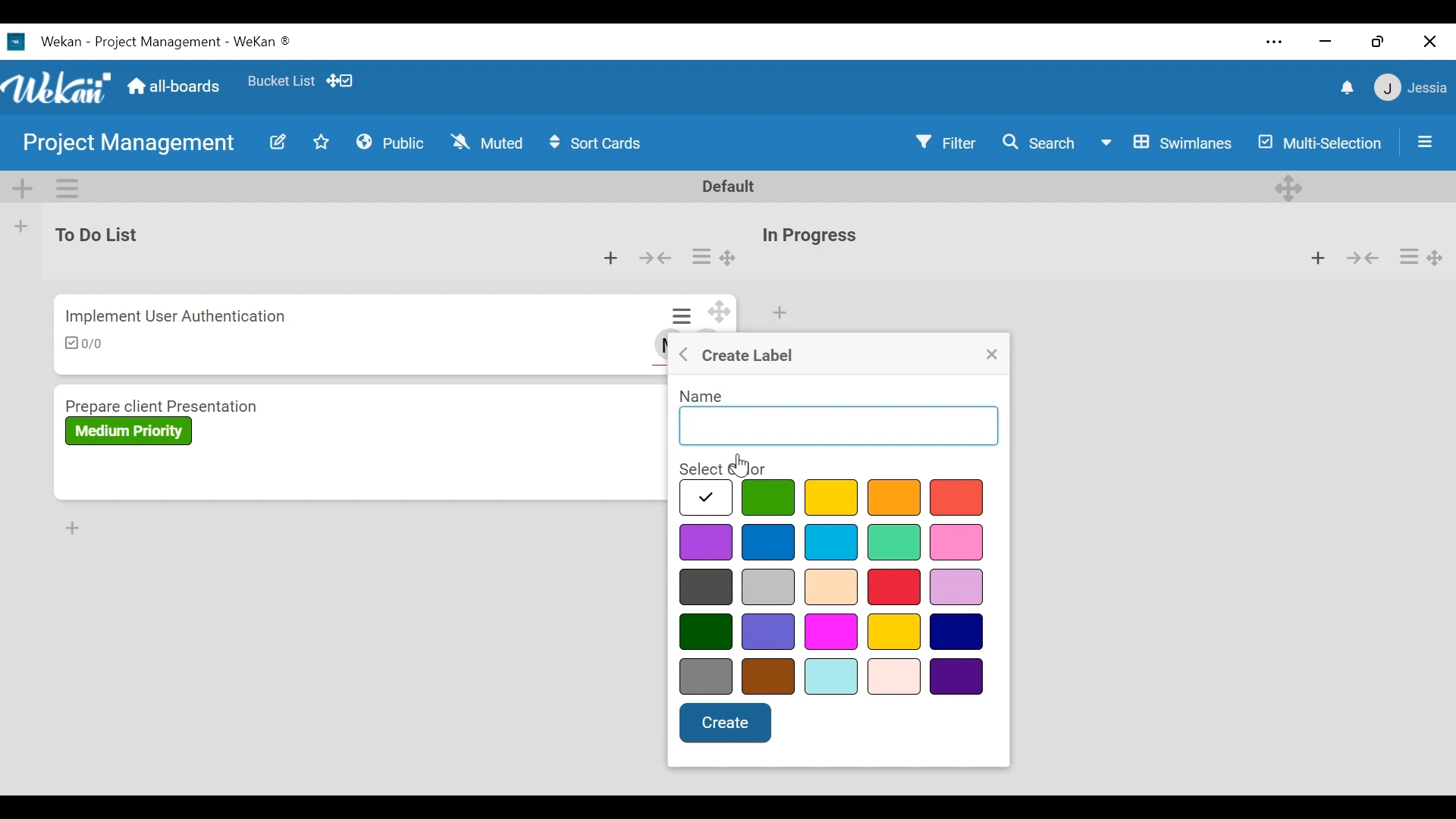 The width and height of the screenshot is (1456, 819). What do you see at coordinates (56, 84) in the screenshot?
I see `Wekan Logo` at bounding box center [56, 84].